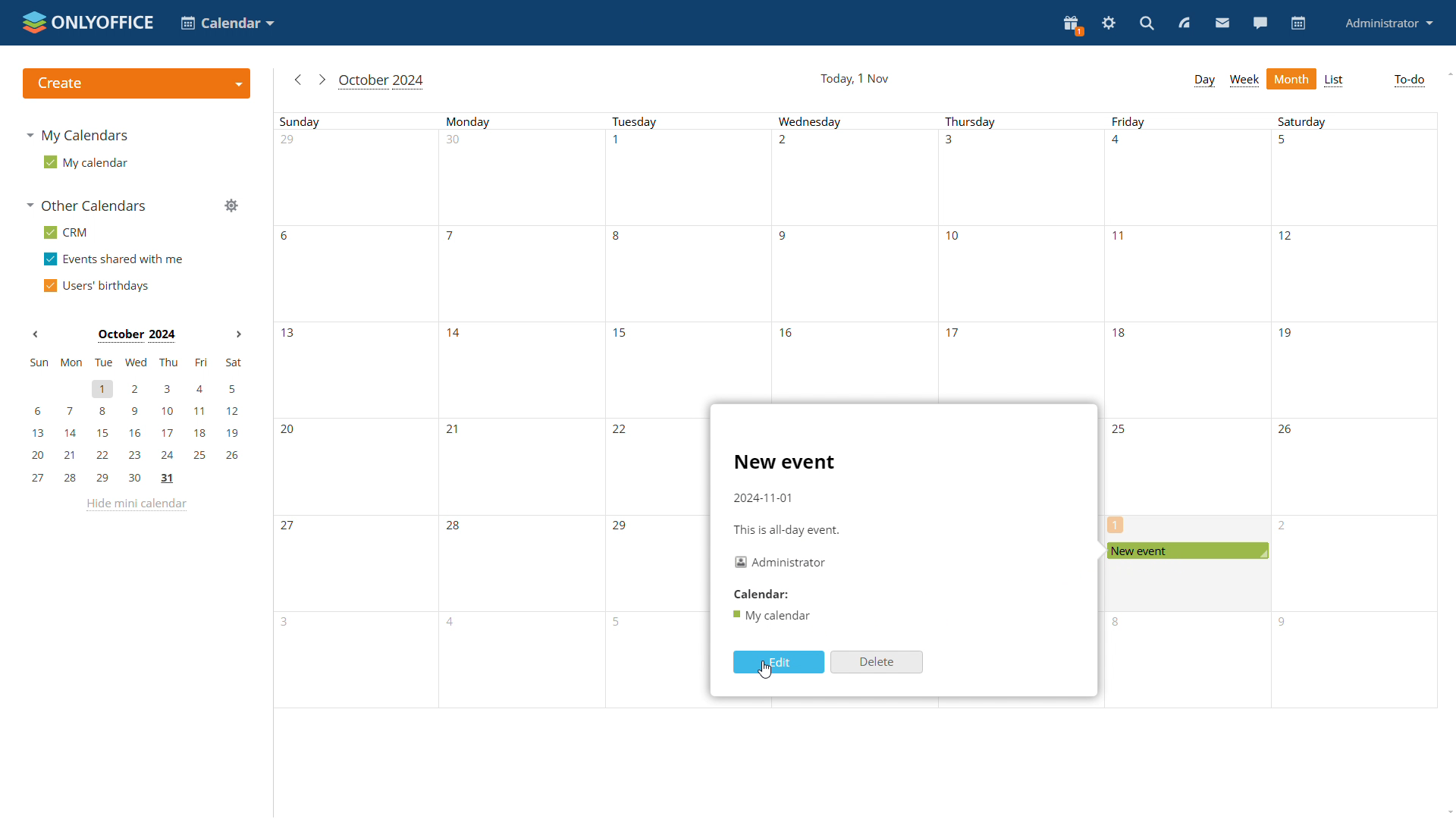 The image size is (1456, 819). I want to click on Monday, so click(526, 413).